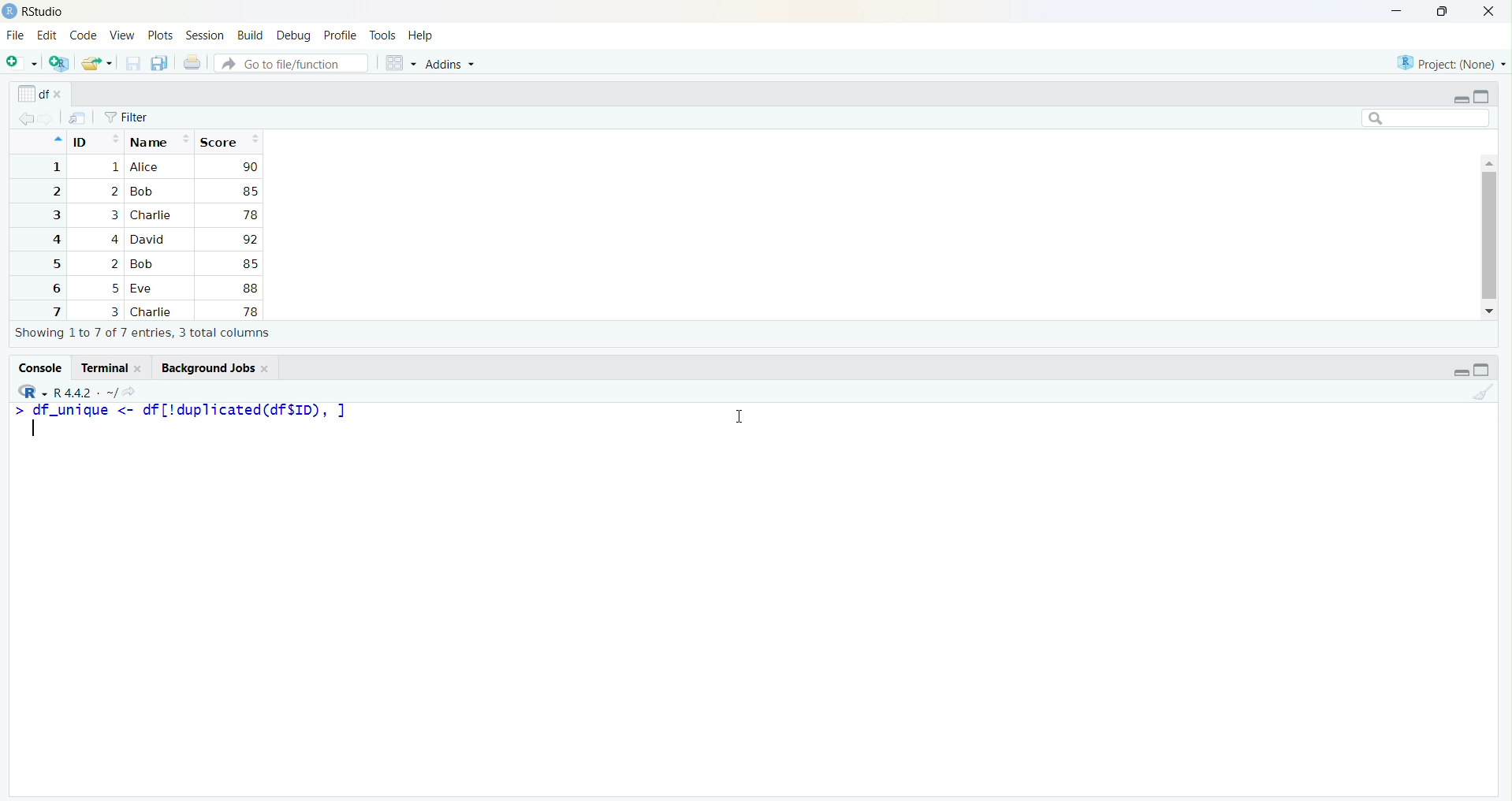 The image size is (1512, 801). I want to click on Name, so click(160, 140).